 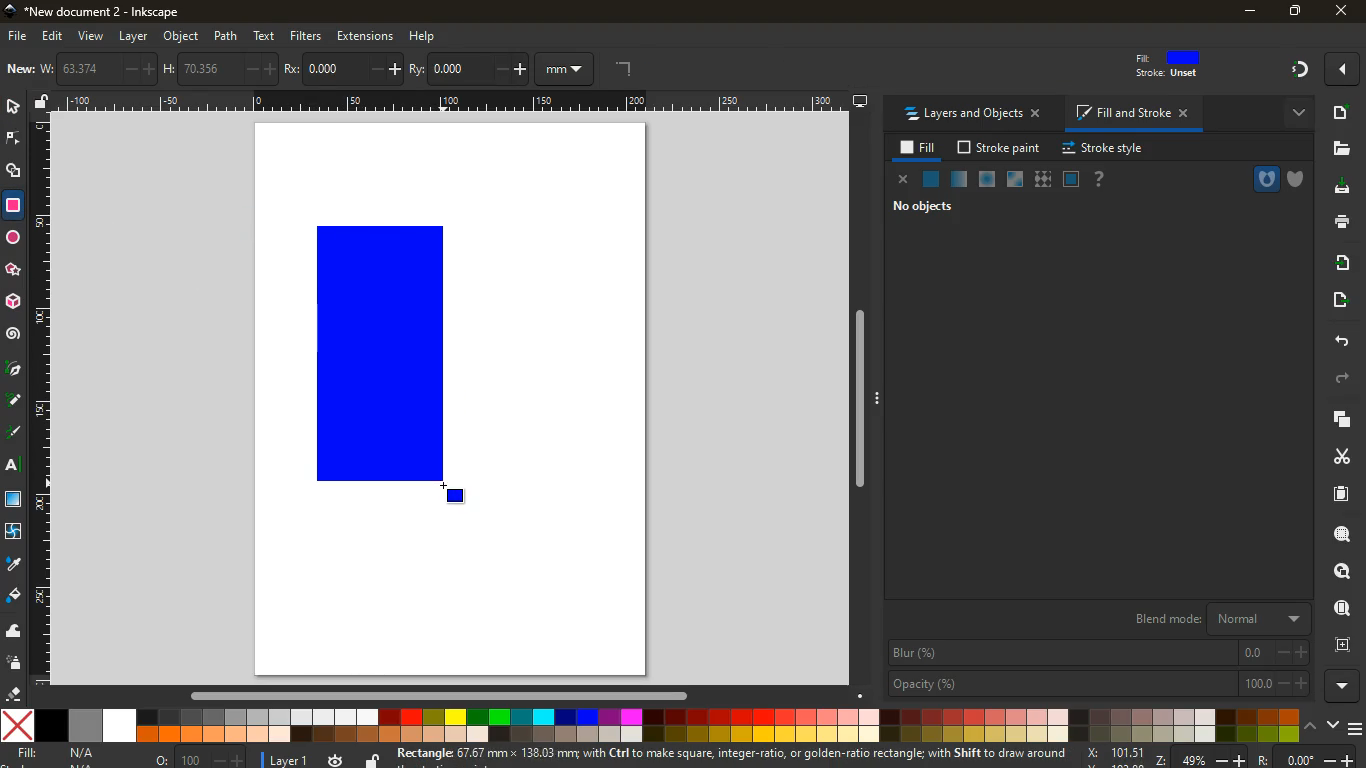 I want to click on minimize, so click(x=1248, y=12).